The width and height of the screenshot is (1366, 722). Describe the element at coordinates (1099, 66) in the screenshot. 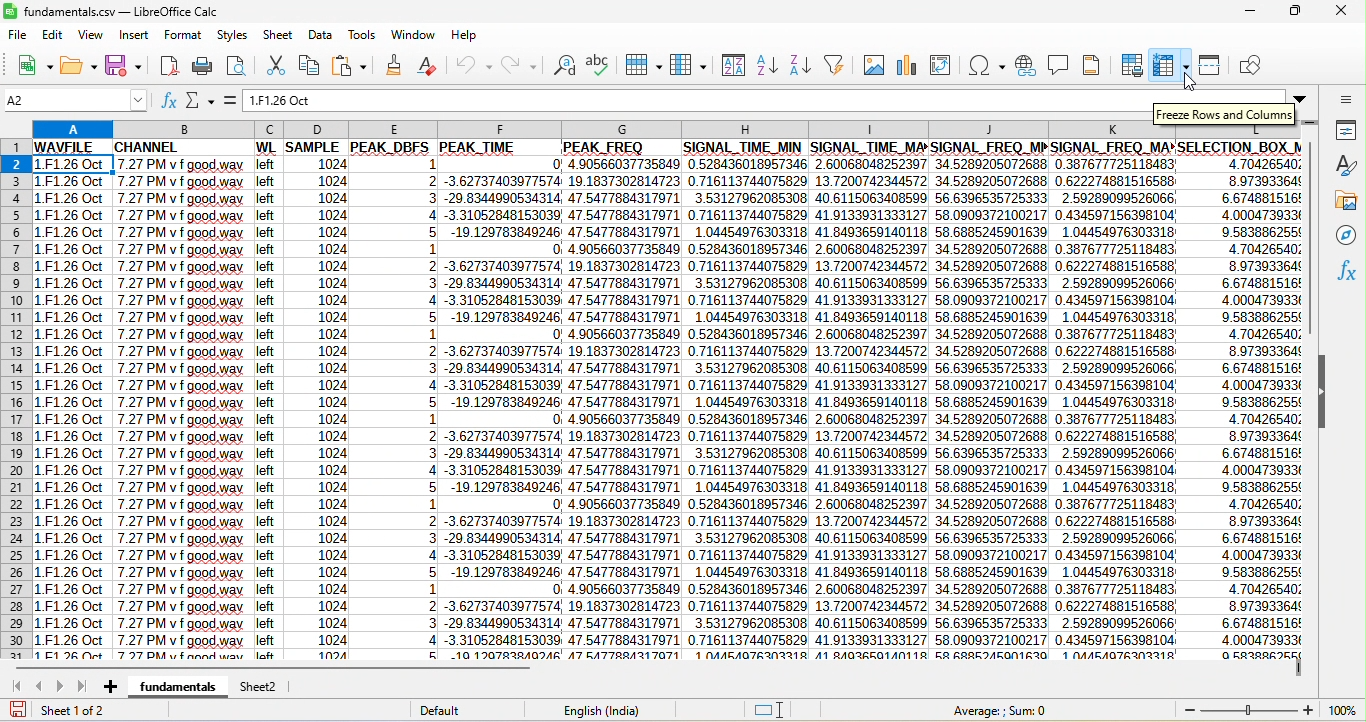

I see `header and footers` at that location.